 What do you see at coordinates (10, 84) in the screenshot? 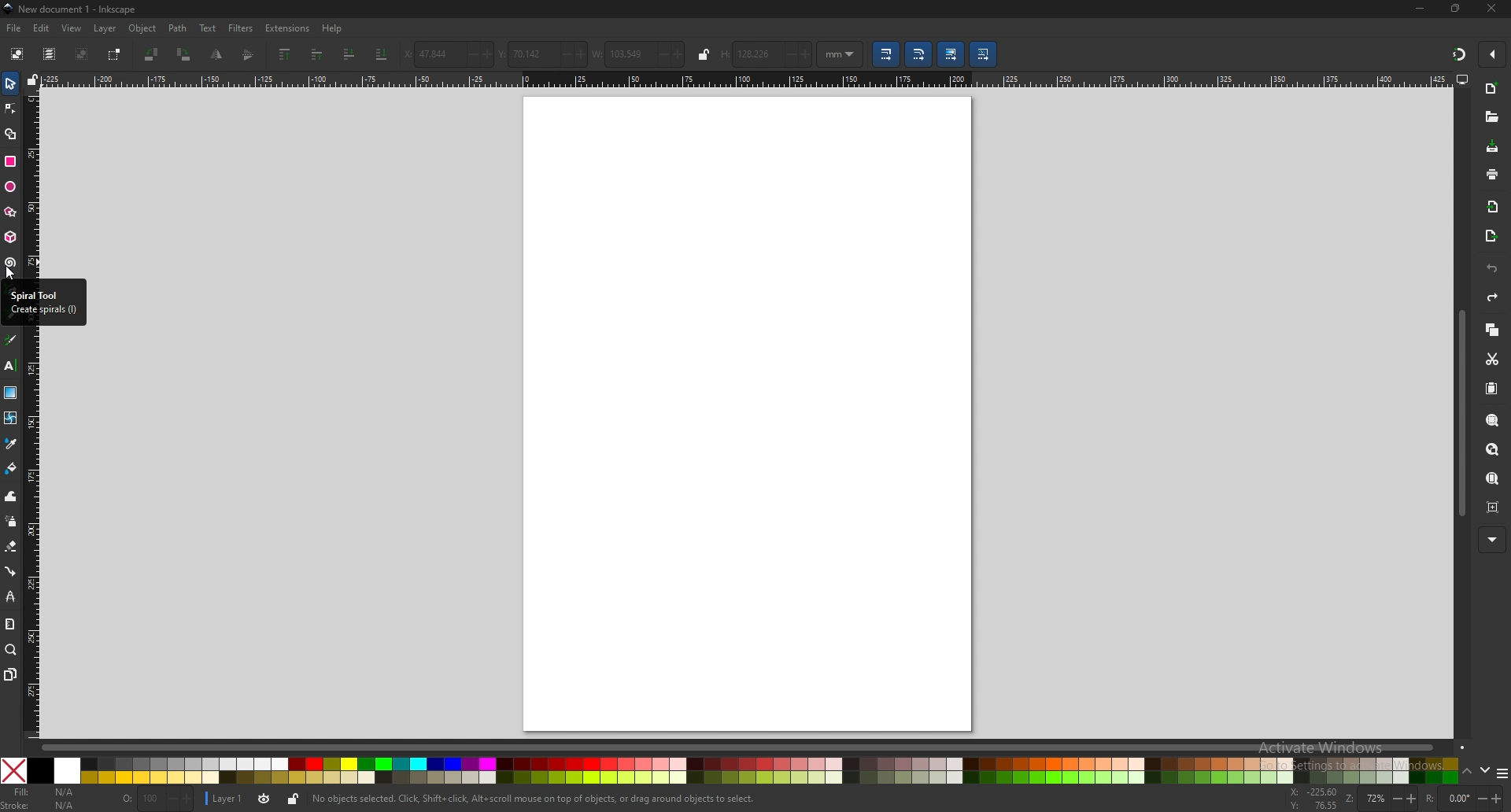
I see `selector` at bounding box center [10, 84].